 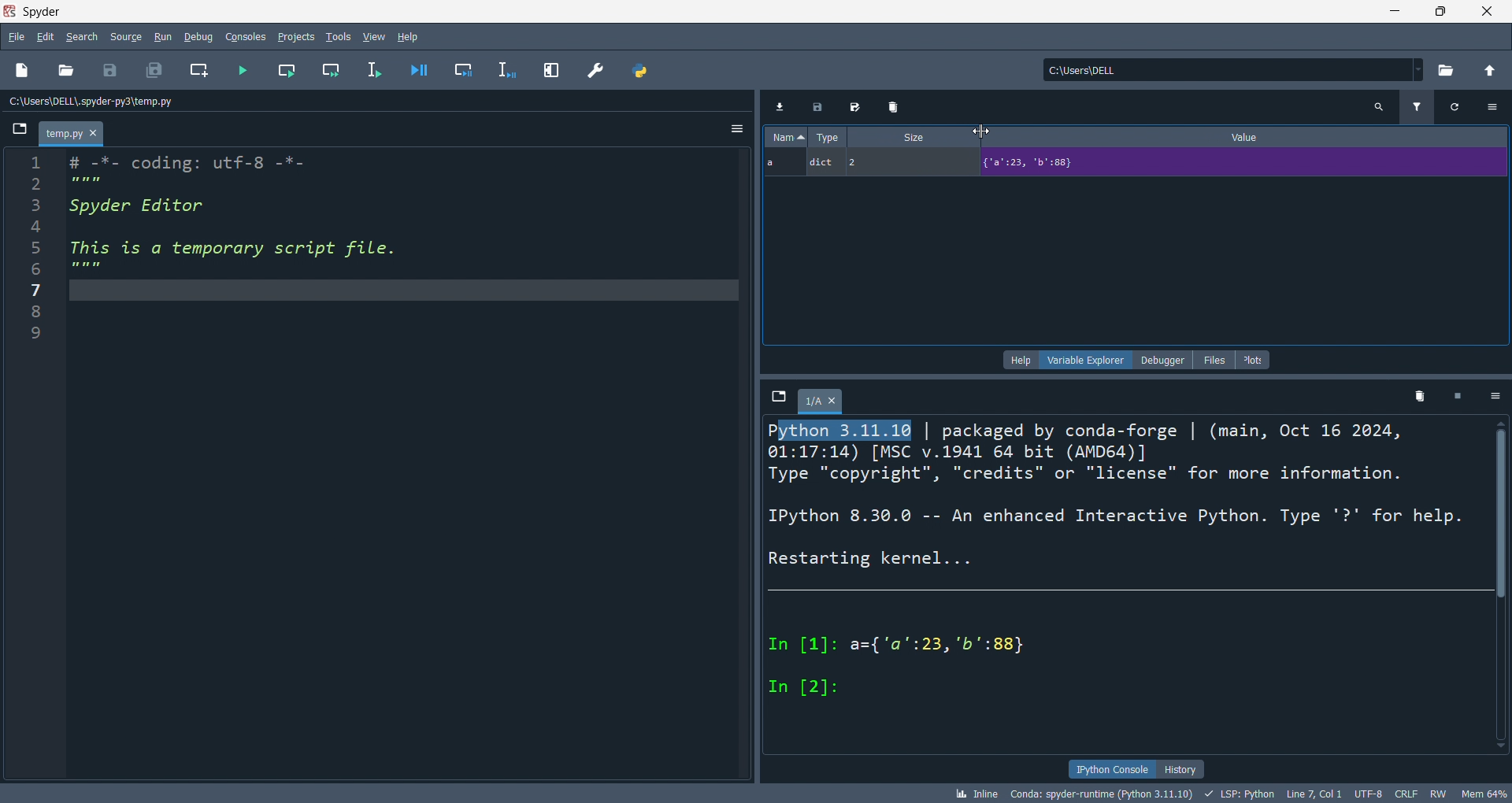 I want to click on refresh, so click(x=1457, y=107).